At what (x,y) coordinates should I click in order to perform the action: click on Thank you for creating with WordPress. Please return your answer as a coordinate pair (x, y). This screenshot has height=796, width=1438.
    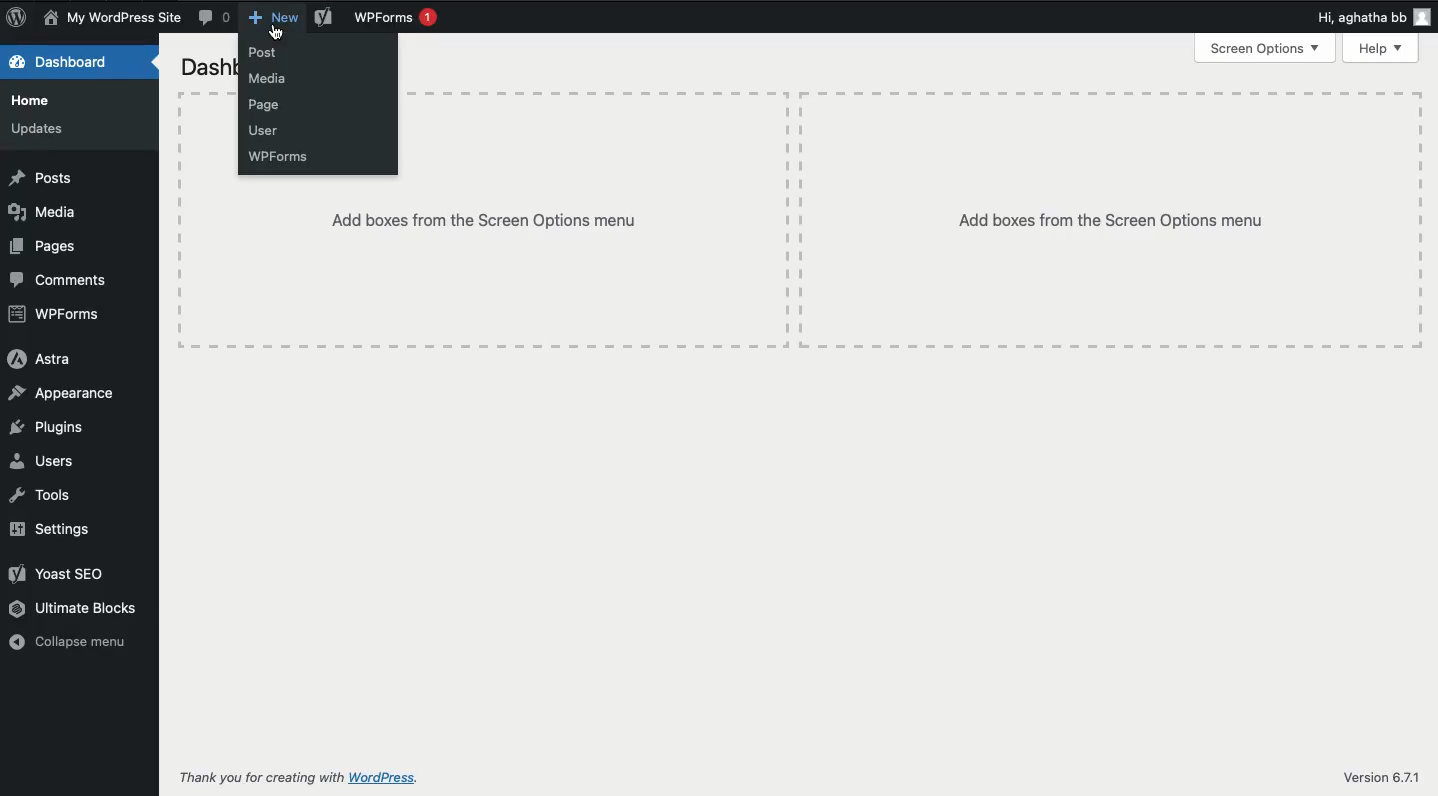
    Looking at the image, I should click on (296, 779).